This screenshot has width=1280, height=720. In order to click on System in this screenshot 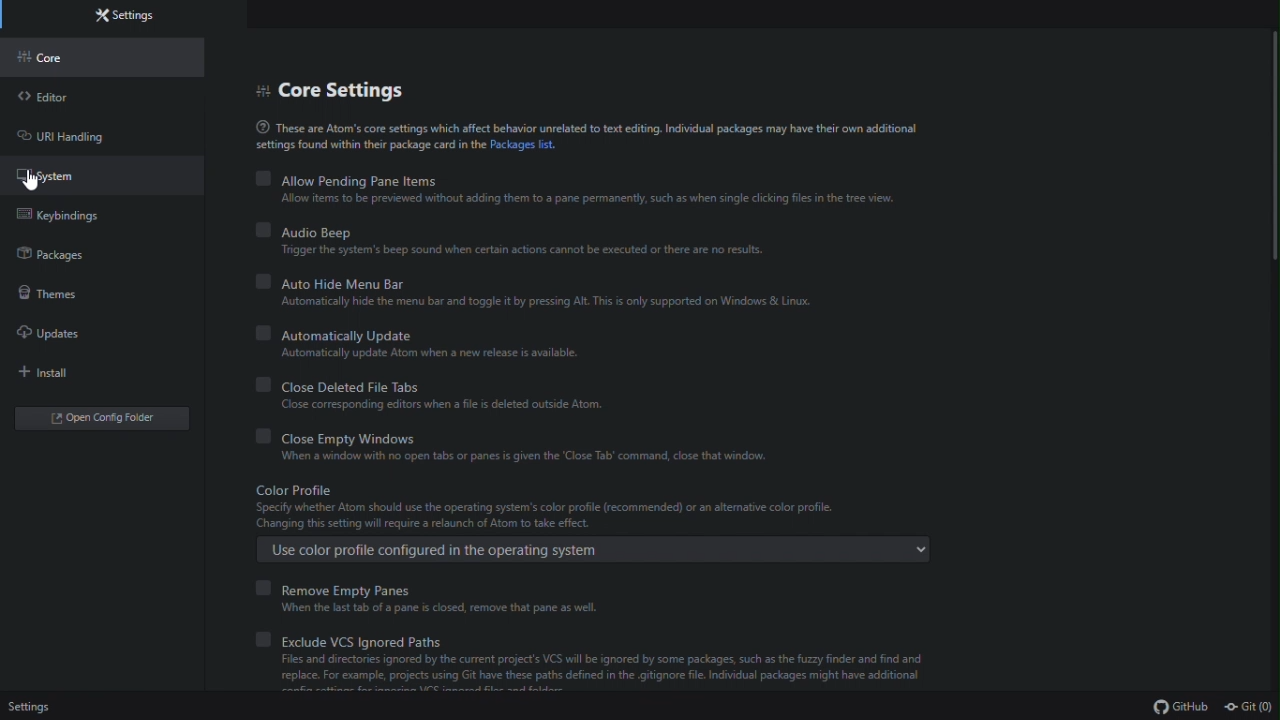, I will do `click(71, 181)`.